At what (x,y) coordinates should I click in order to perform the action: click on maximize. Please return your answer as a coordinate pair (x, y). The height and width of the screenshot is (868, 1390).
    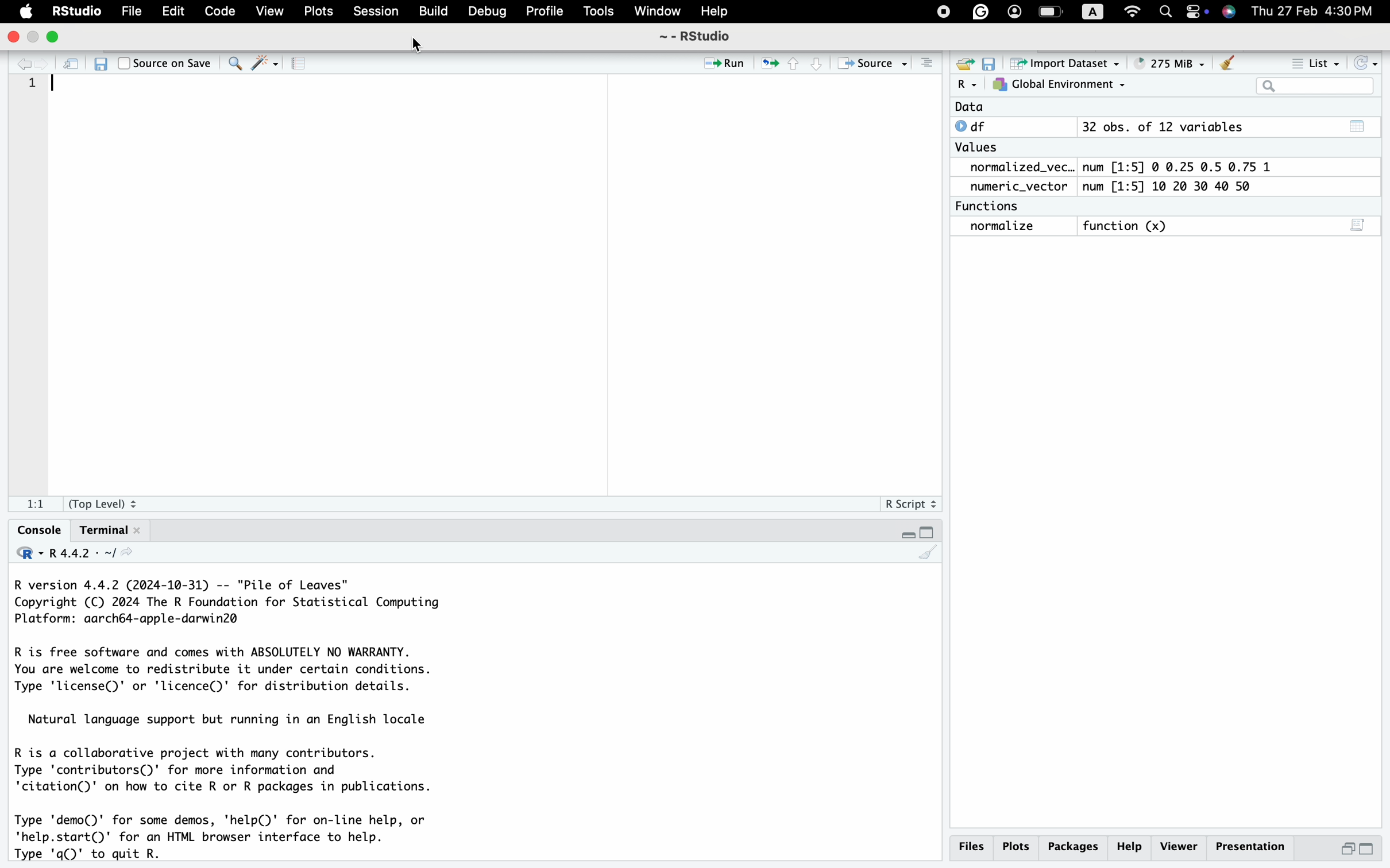
    Looking at the image, I should click on (55, 40).